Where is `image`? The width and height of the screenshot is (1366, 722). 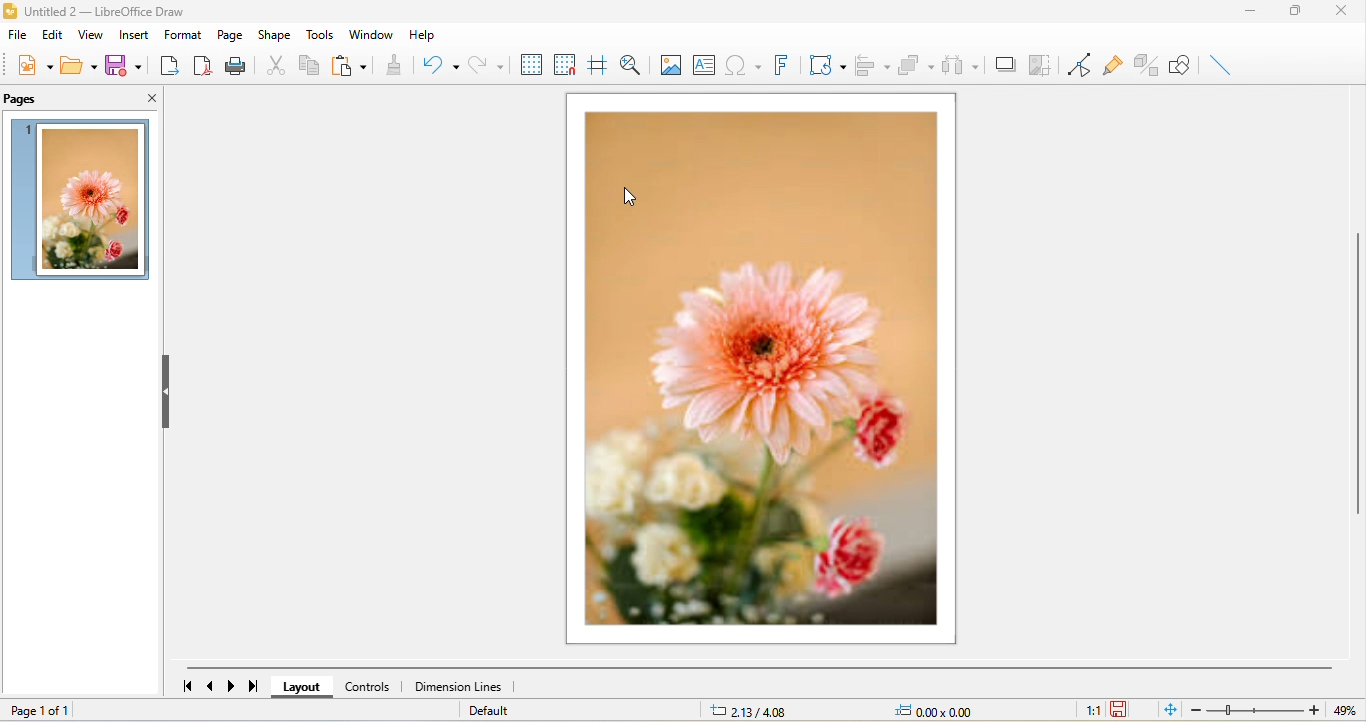
image is located at coordinates (761, 369).